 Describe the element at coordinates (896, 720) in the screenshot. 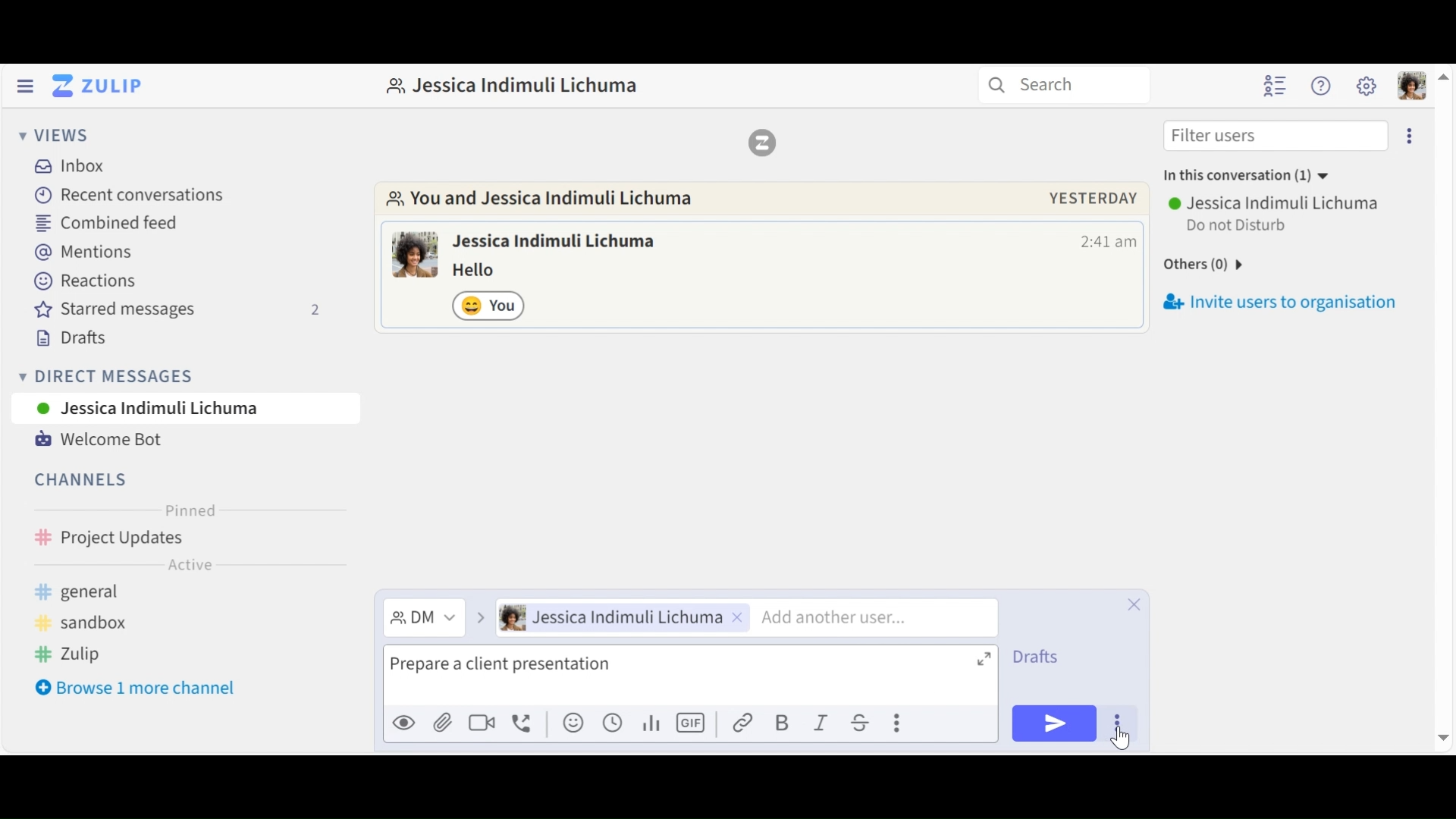

I see `Compose actions` at that location.